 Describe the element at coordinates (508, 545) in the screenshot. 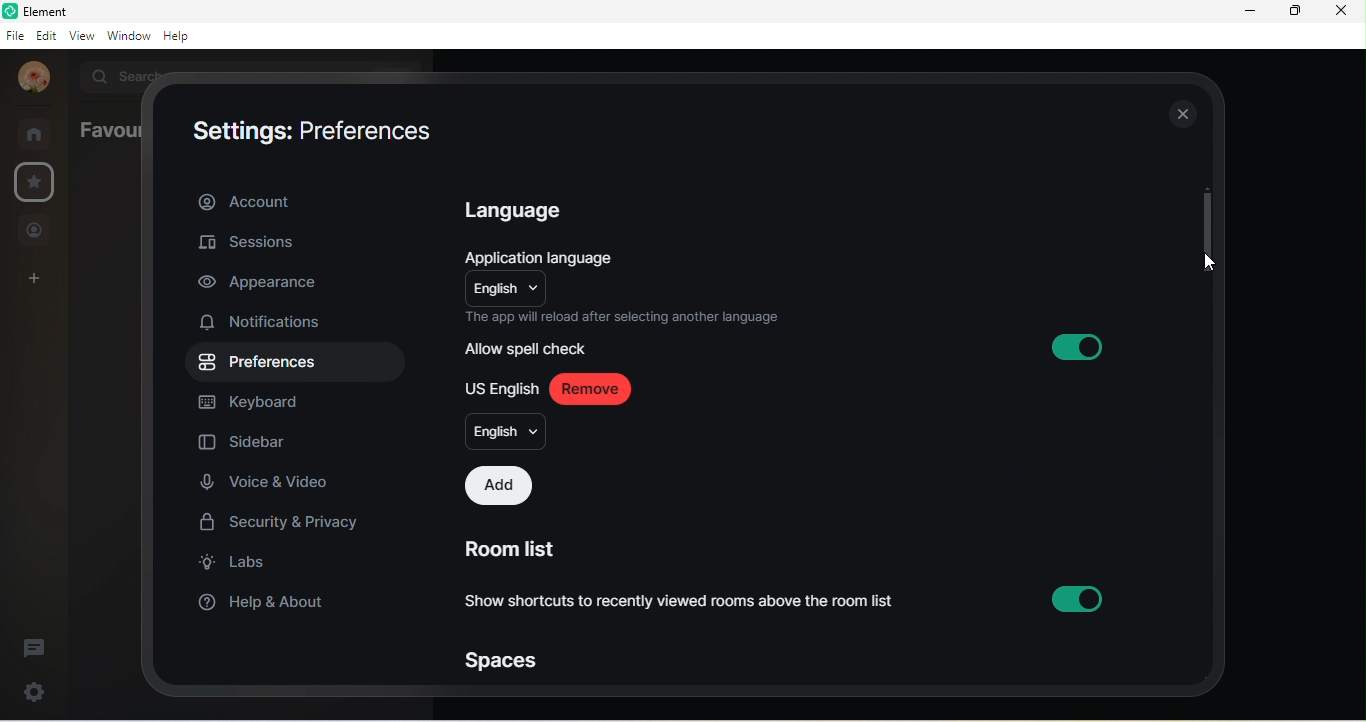

I see `room list` at that location.